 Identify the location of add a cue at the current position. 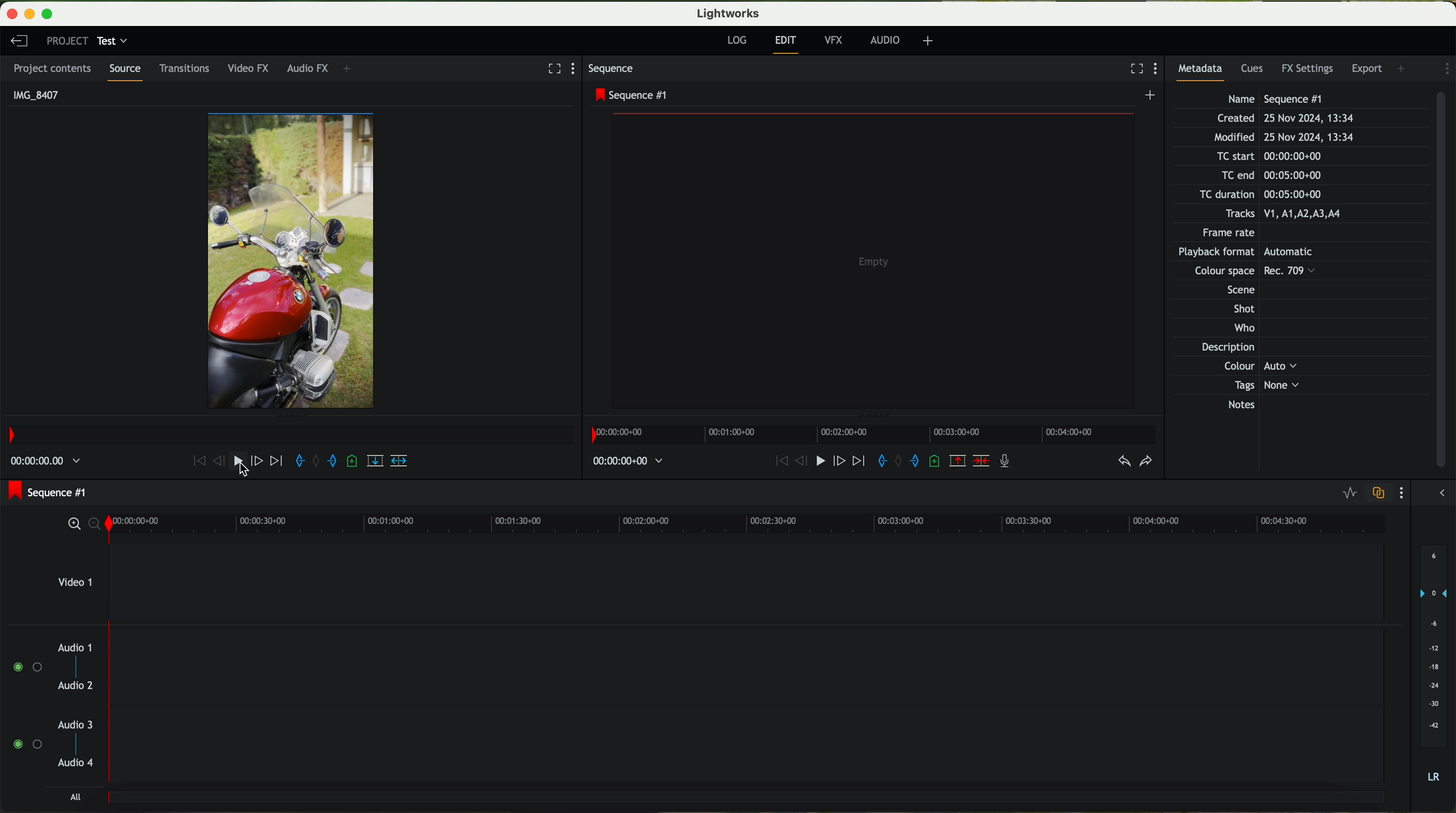
(937, 462).